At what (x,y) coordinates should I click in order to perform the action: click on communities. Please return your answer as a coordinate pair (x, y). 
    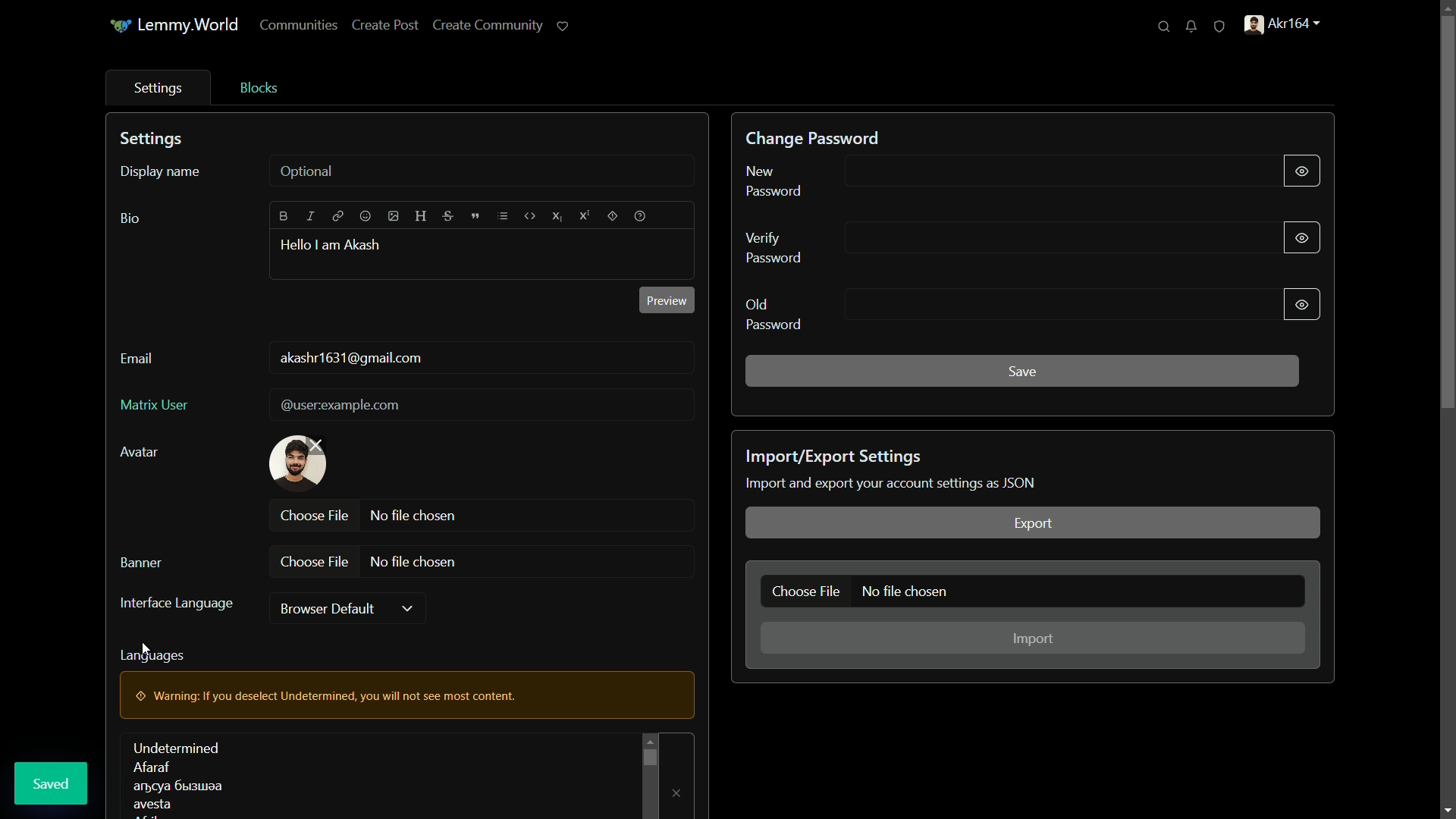
    Looking at the image, I should click on (301, 25).